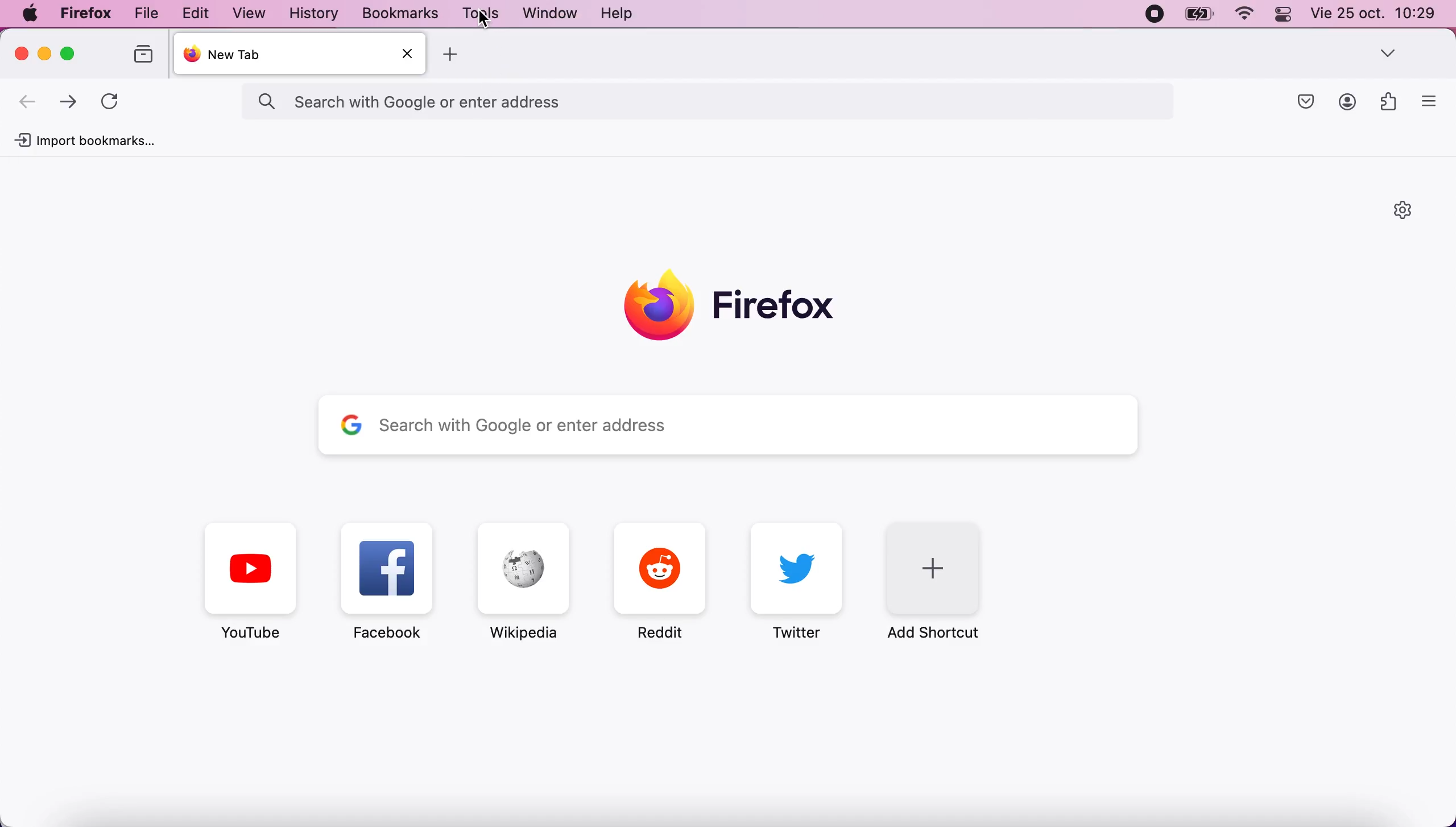 The height and width of the screenshot is (827, 1456). I want to click on New Tab, so click(303, 53).